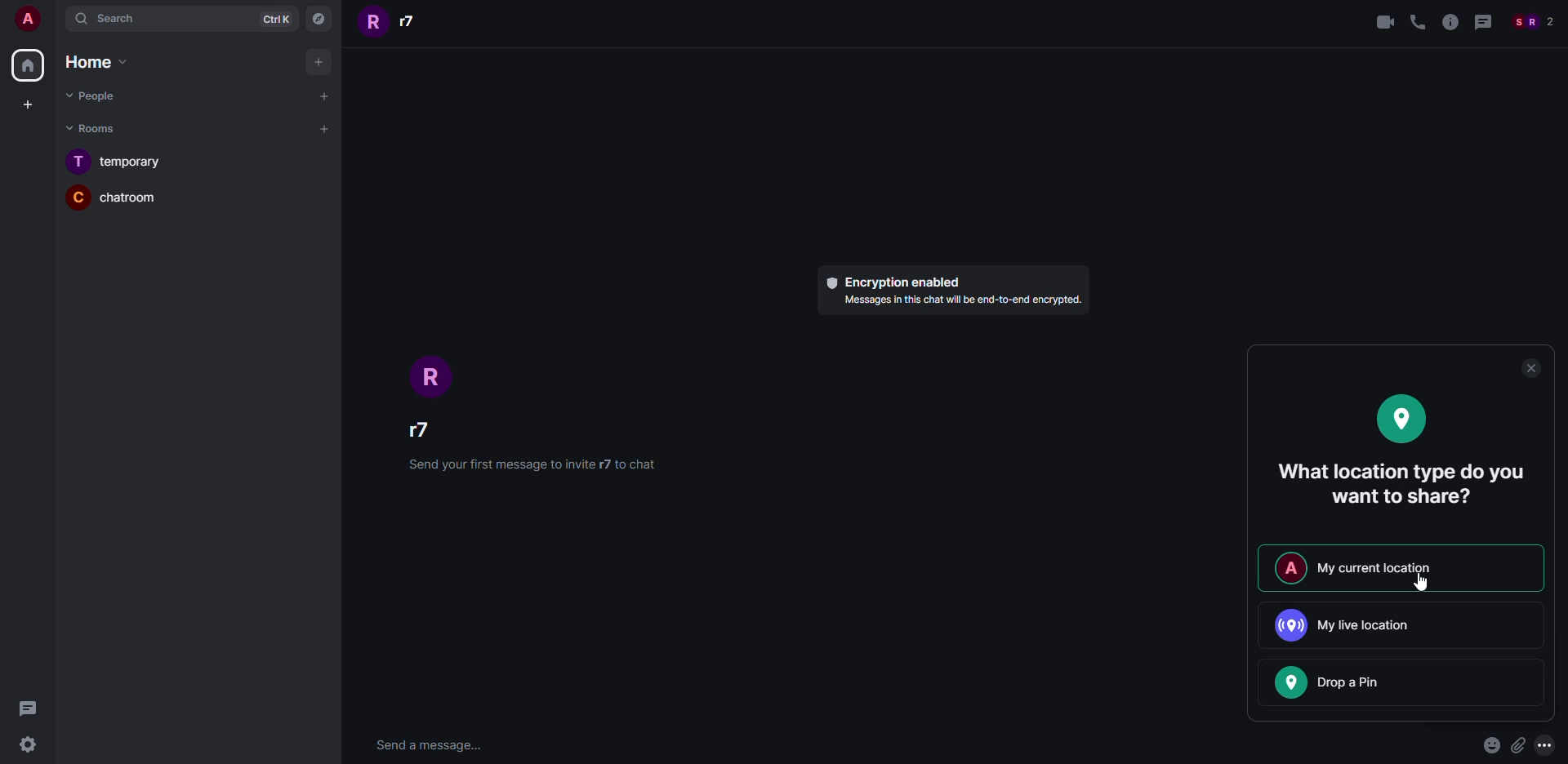  Describe the element at coordinates (151, 19) in the screenshot. I see `Search` at that location.